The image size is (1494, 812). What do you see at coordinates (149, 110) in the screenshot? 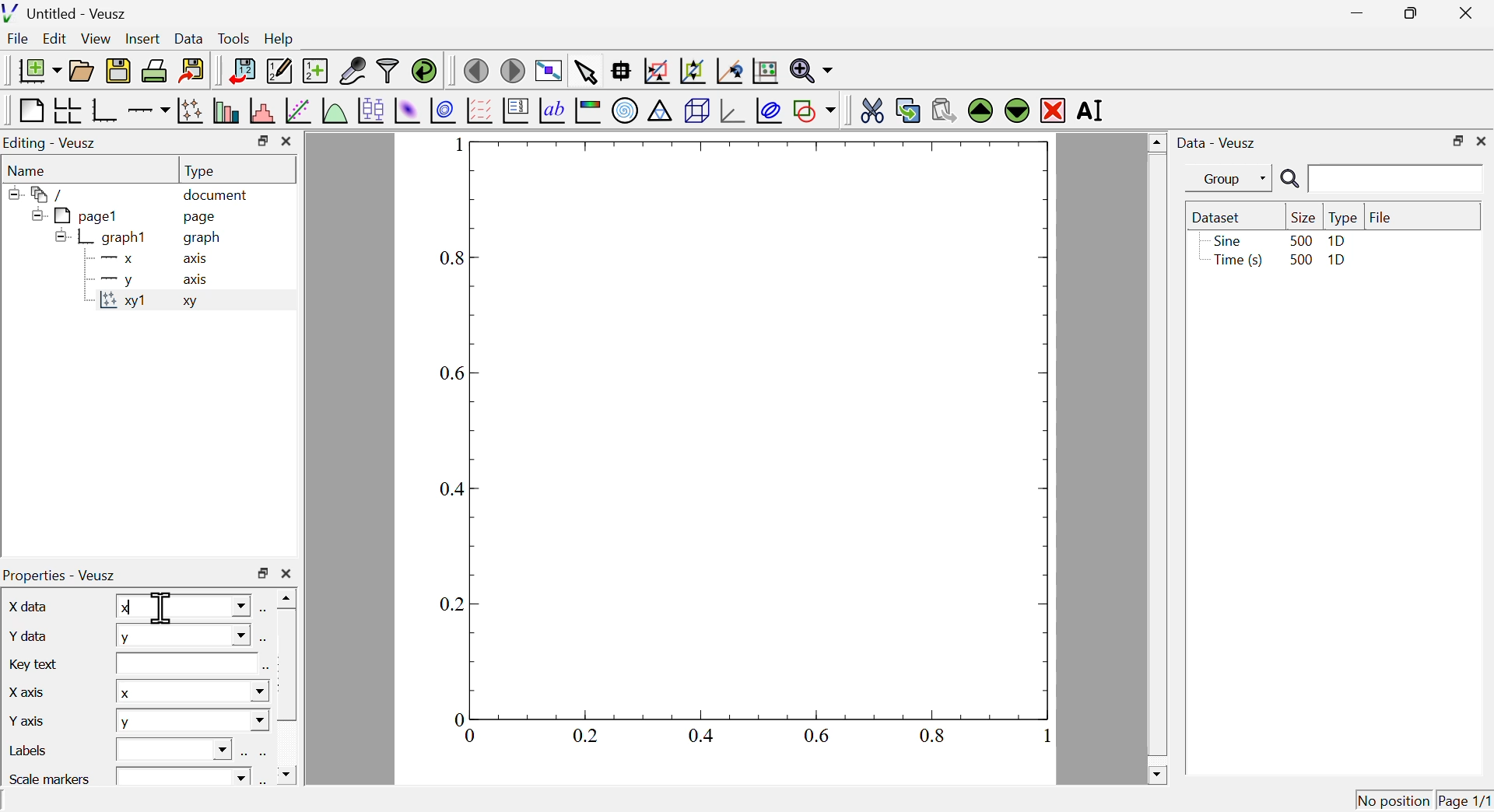
I see `add an axis to the plot` at bounding box center [149, 110].